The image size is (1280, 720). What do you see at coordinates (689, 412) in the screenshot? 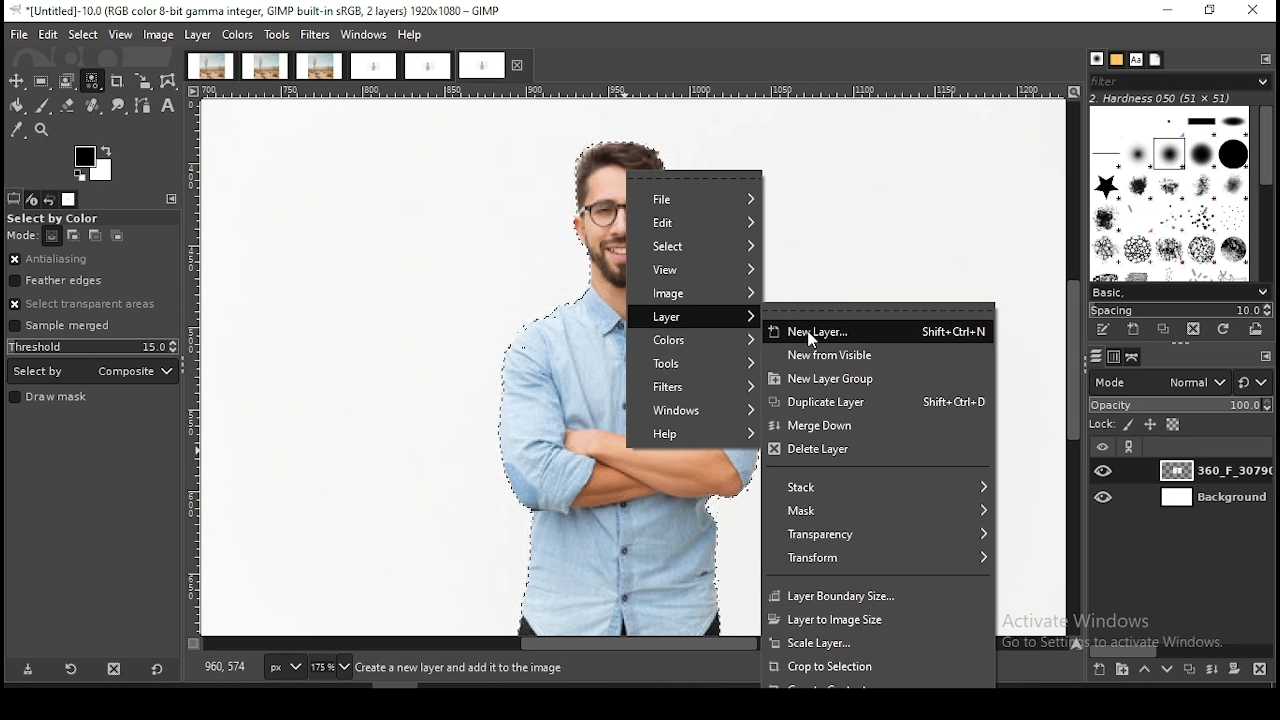
I see `windows` at bounding box center [689, 412].